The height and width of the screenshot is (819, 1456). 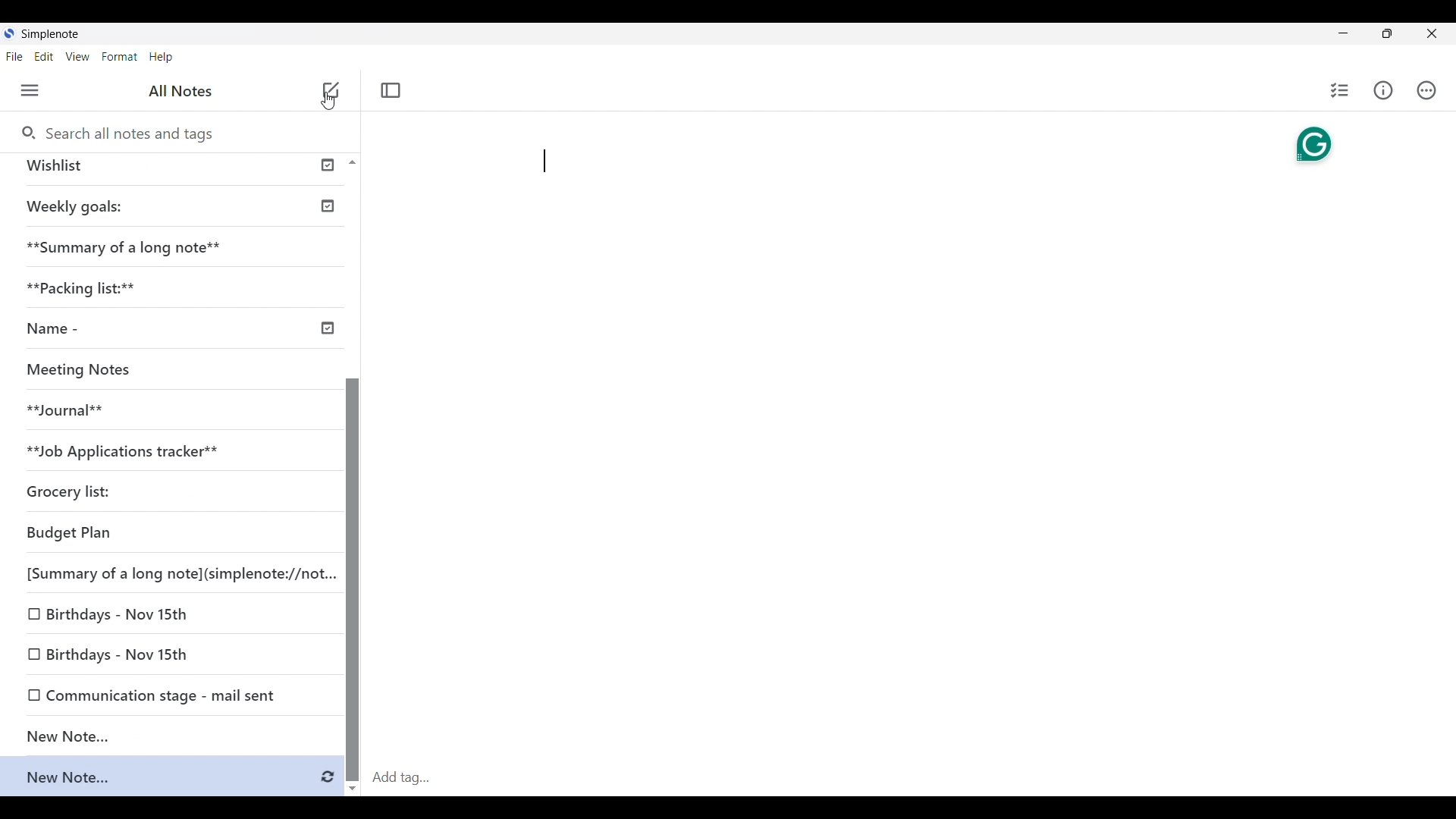 What do you see at coordinates (353, 789) in the screenshot?
I see `Quick slide to bottom` at bounding box center [353, 789].